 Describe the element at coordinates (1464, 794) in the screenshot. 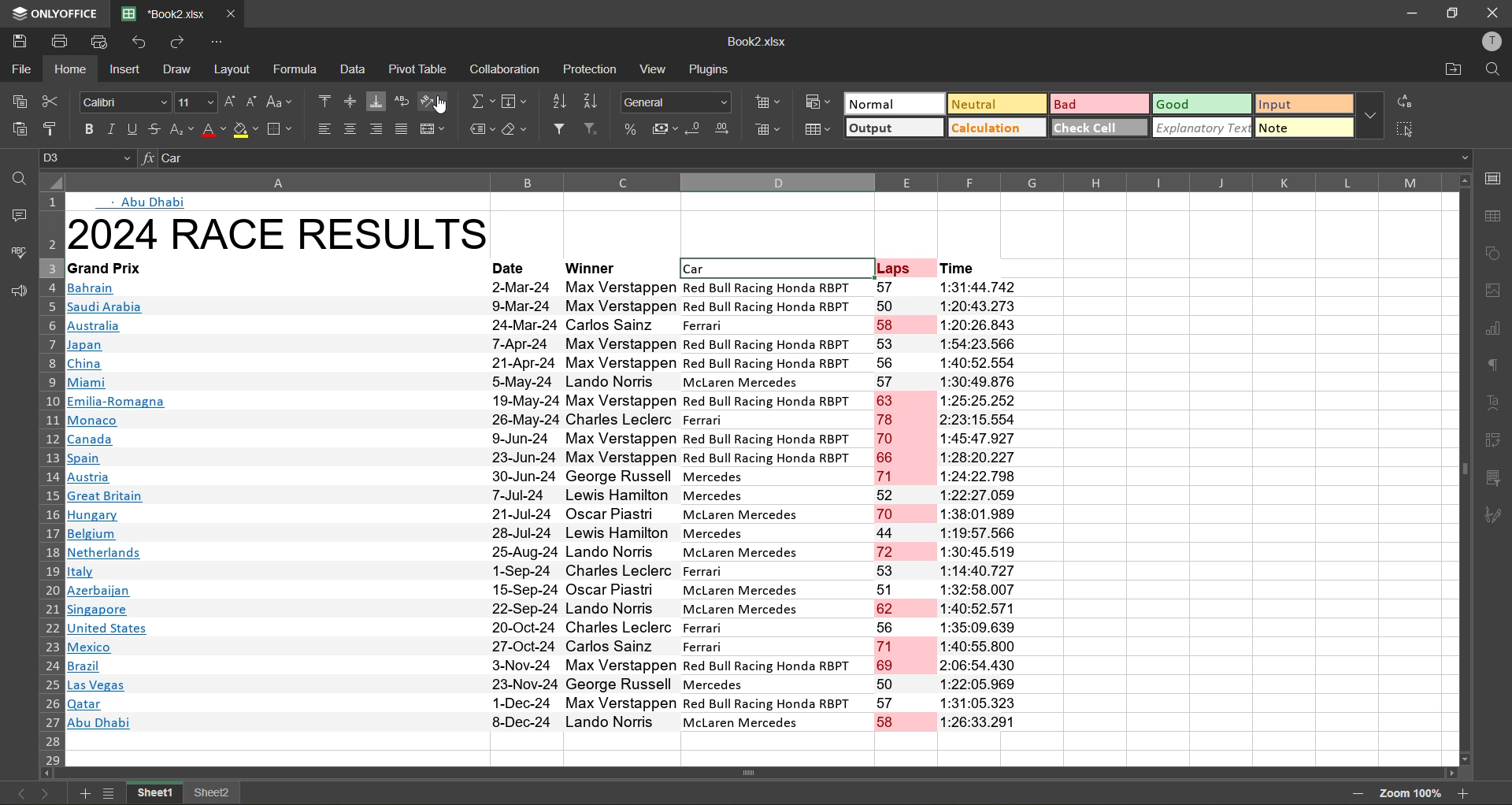

I see `zoom in` at that location.